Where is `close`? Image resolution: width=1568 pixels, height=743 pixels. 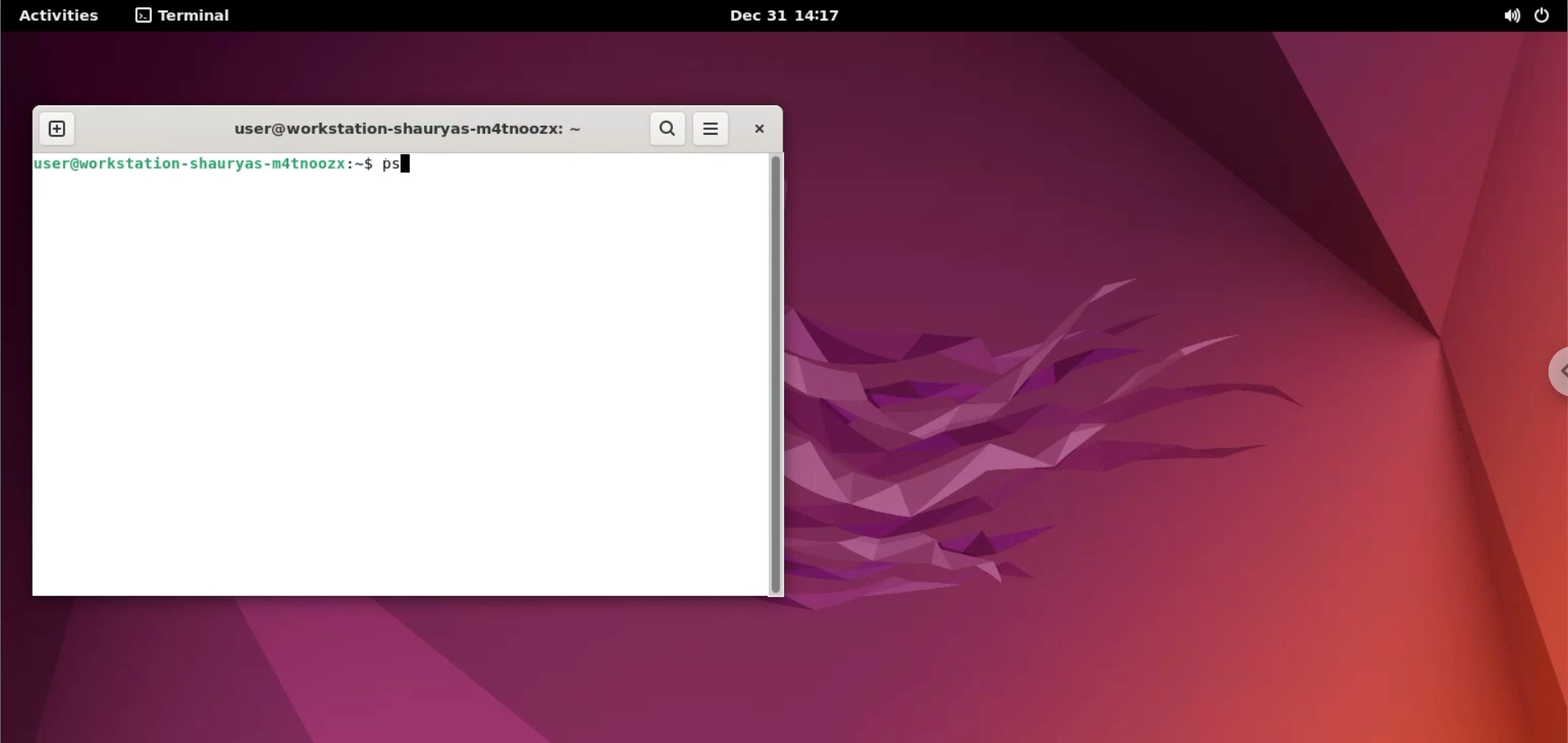 close is located at coordinates (755, 131).